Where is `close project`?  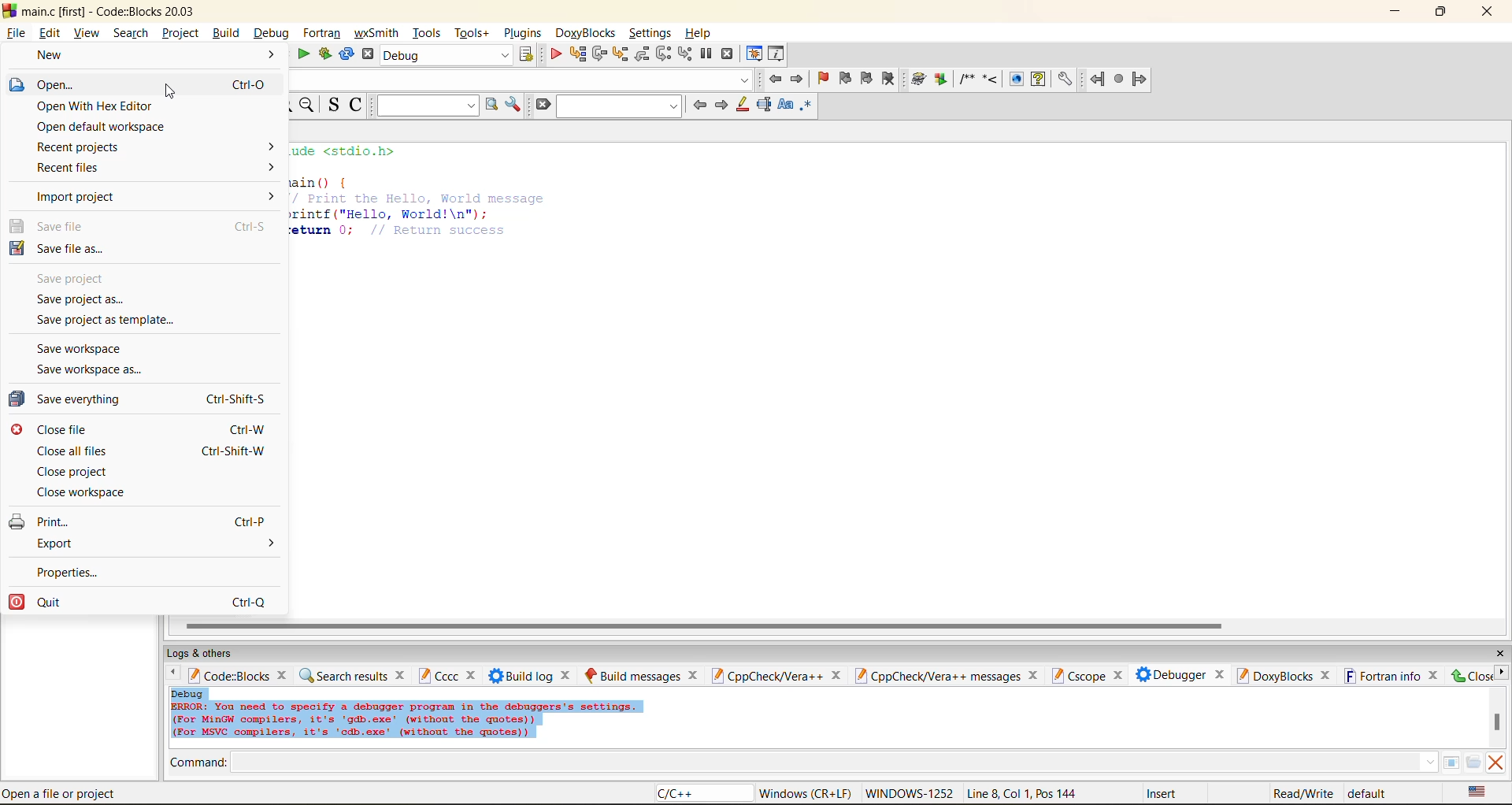 close project is located at coordinates (78, 472).